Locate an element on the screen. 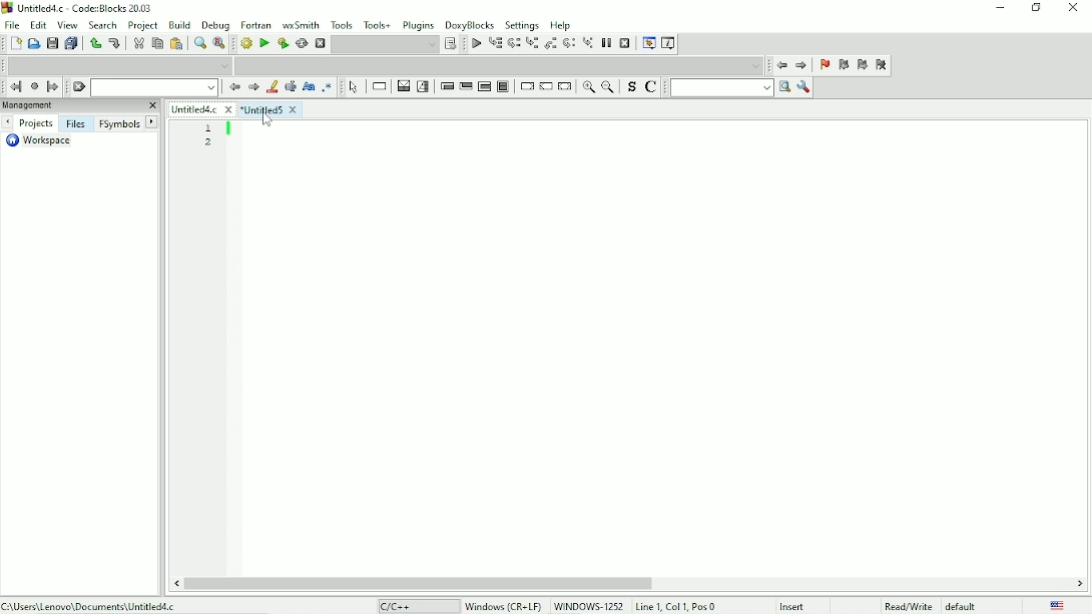 This screenshot has height=614, width=1092. Read/Write is located at coordinates (906, 606).